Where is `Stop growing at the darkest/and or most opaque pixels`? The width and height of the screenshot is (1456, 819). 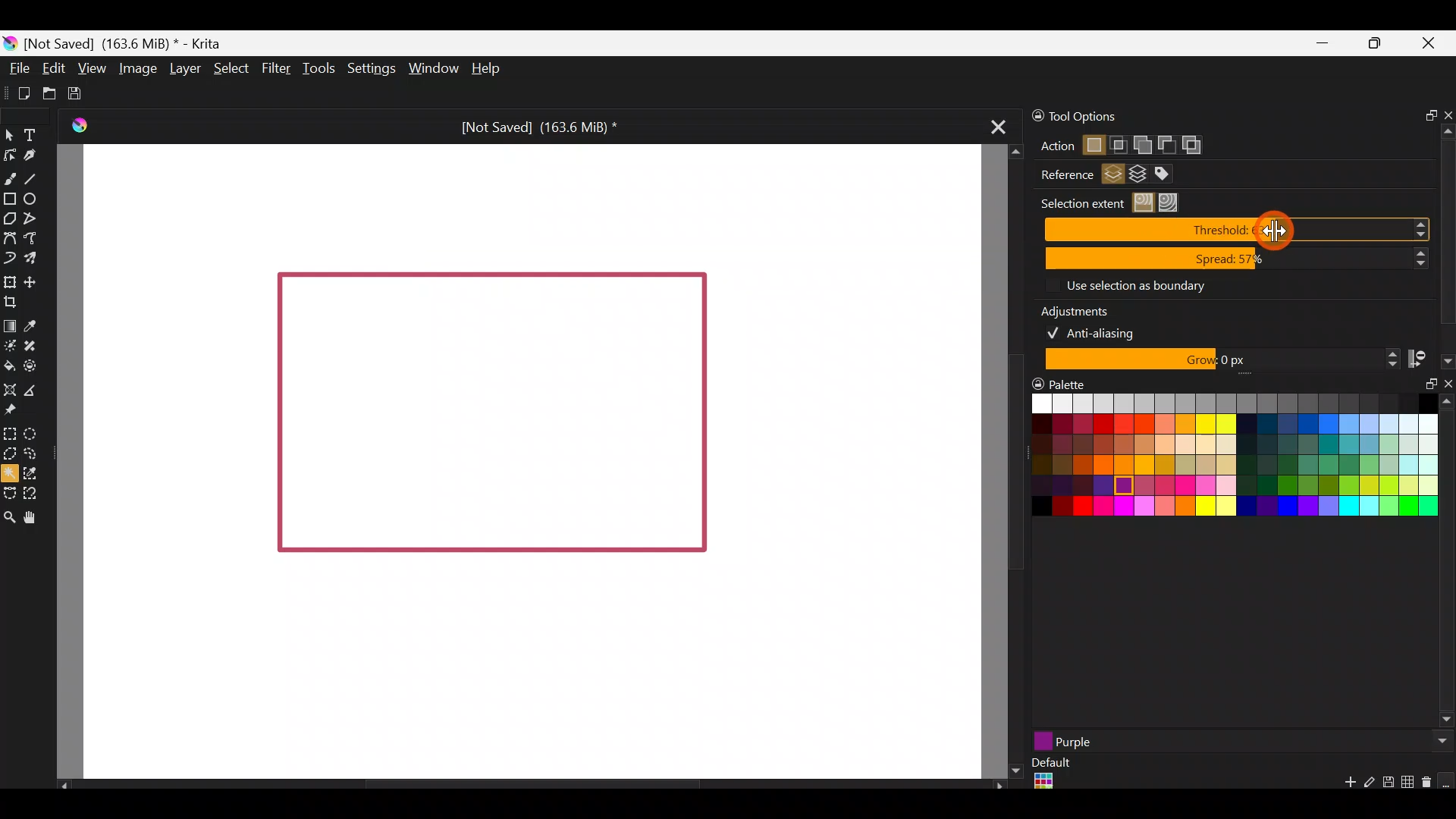 Stop growing at the darkest/and or most opaque pixels is located at coordinates (1429, 358).